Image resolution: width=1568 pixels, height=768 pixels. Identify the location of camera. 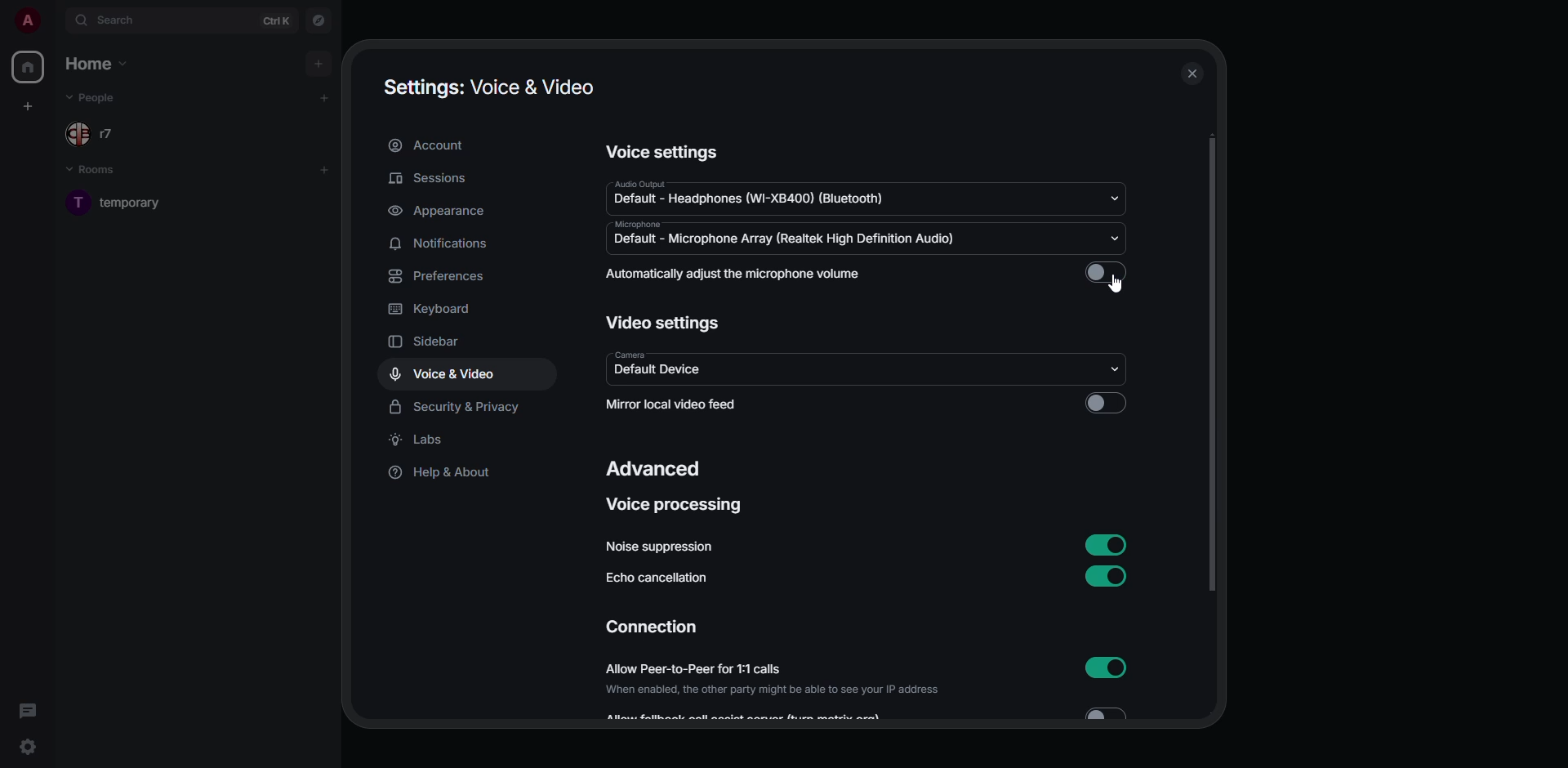
(634, 356).